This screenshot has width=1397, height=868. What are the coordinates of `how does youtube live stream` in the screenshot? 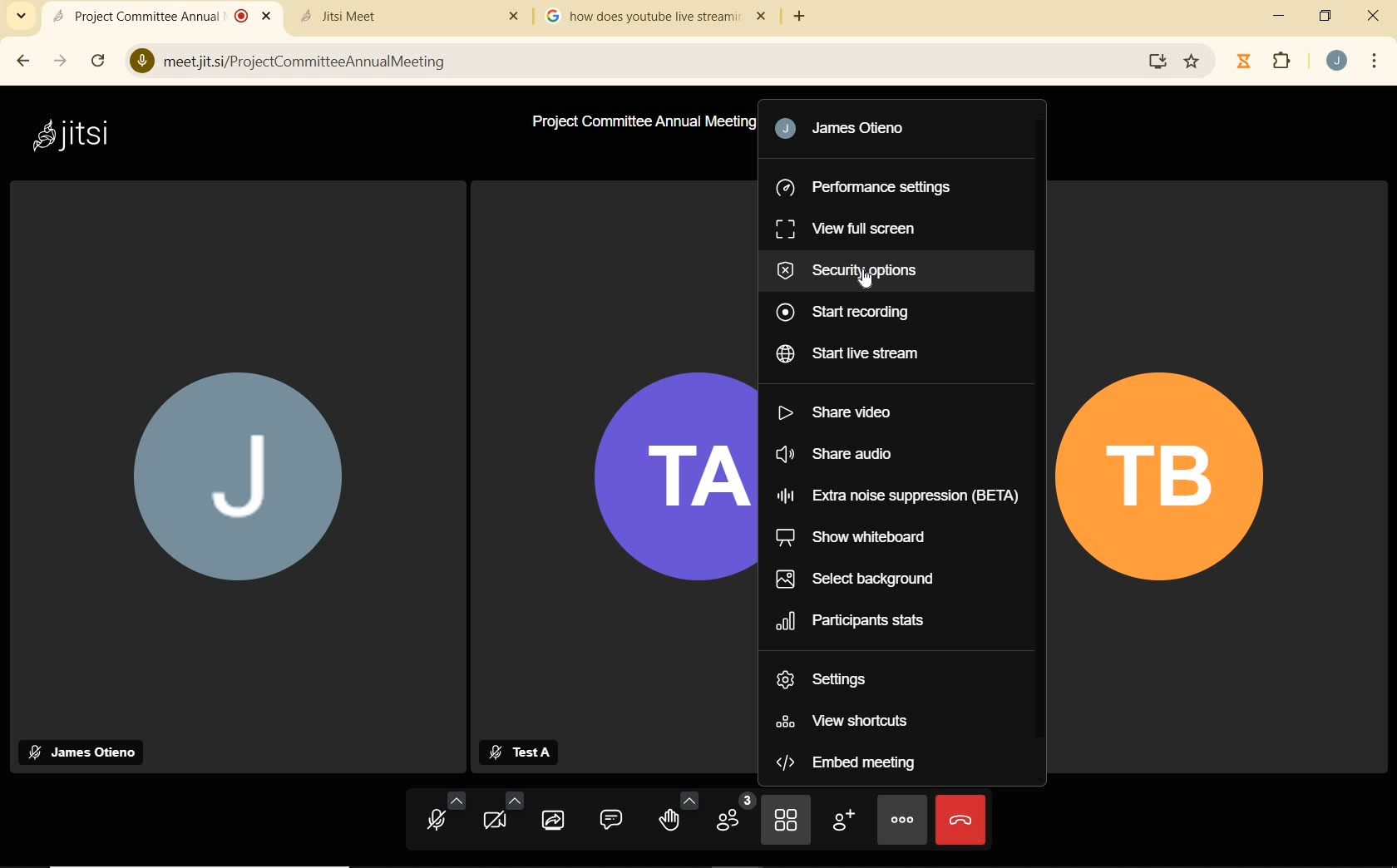 It's located at (659, 17).